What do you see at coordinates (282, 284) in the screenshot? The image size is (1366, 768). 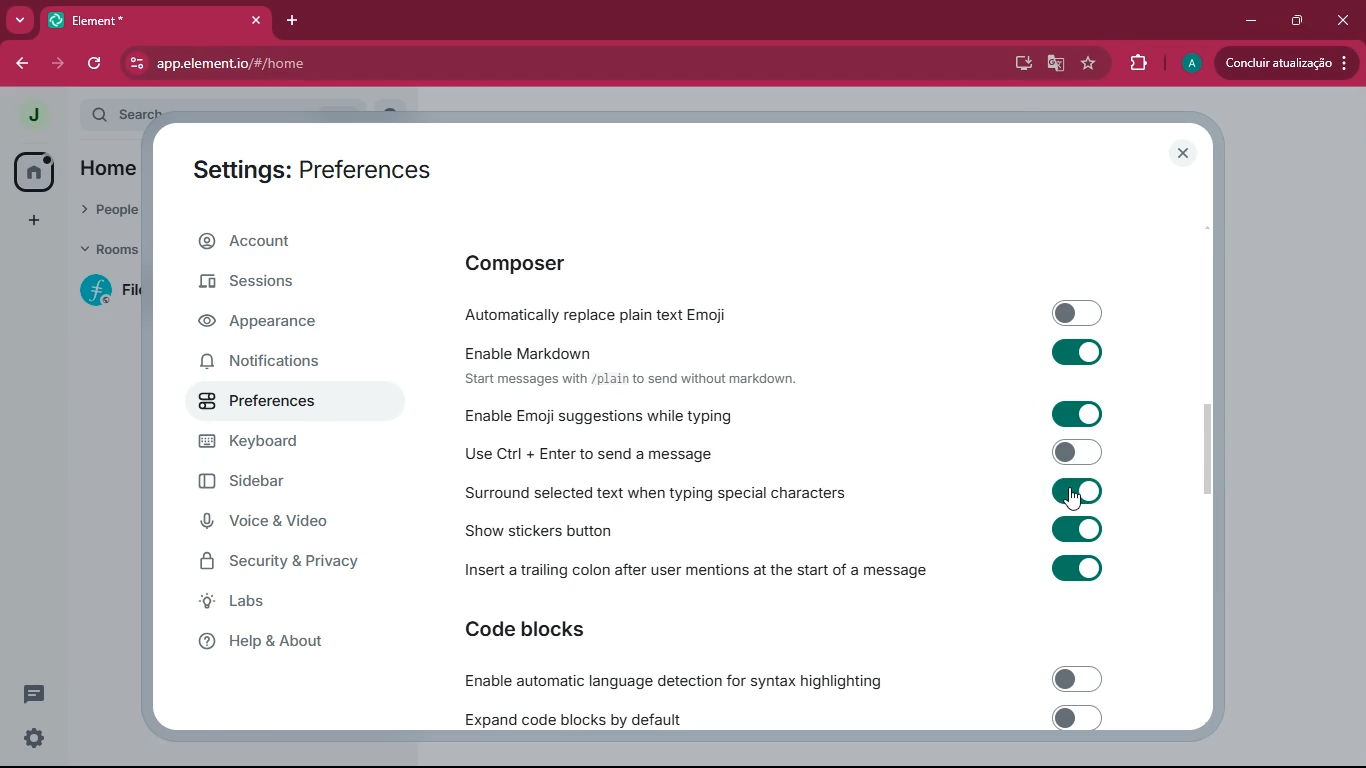 I see `sessions` at bounding box center [282, 284].